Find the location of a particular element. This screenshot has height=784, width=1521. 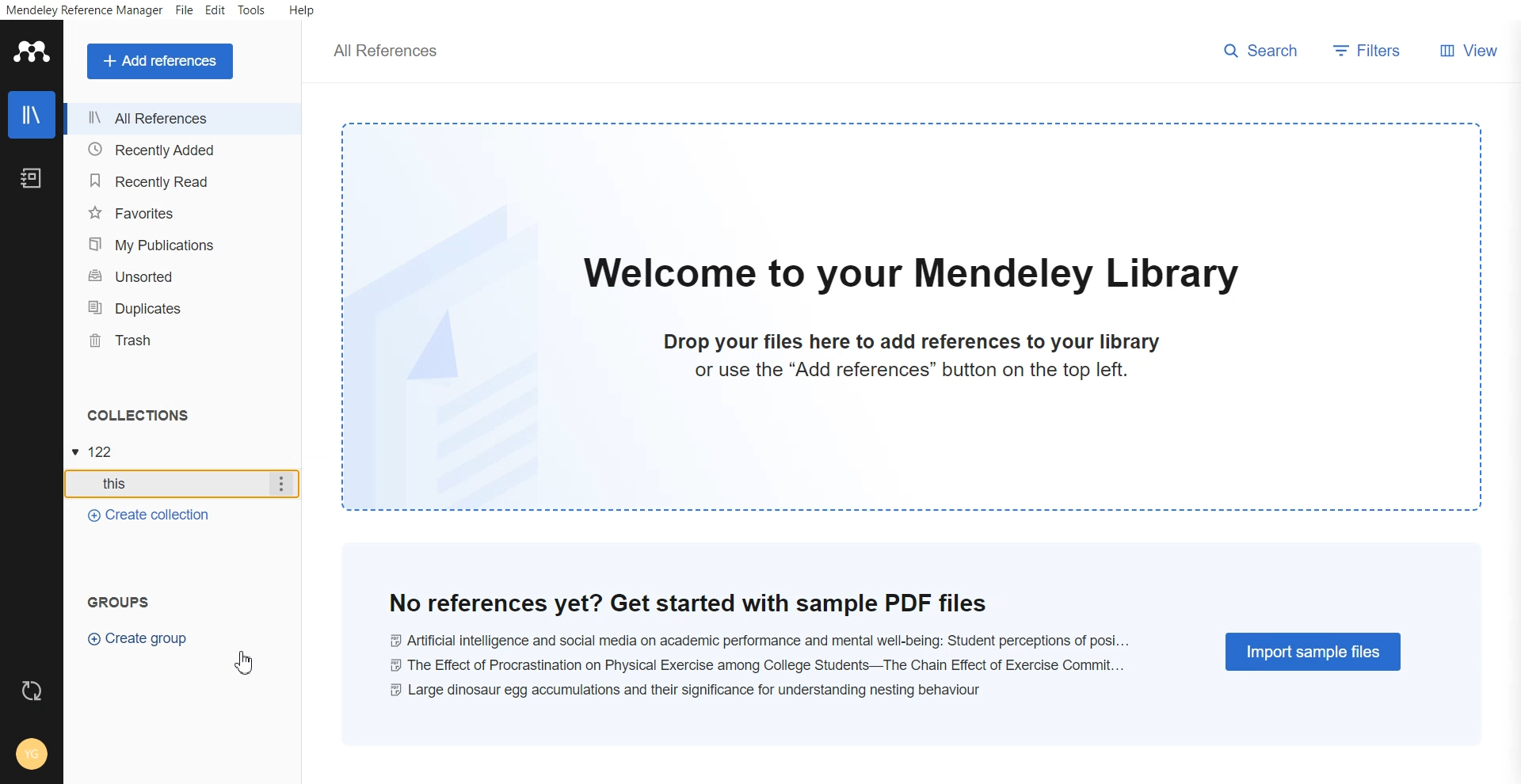

Collections is located at coordinates (135, 415).